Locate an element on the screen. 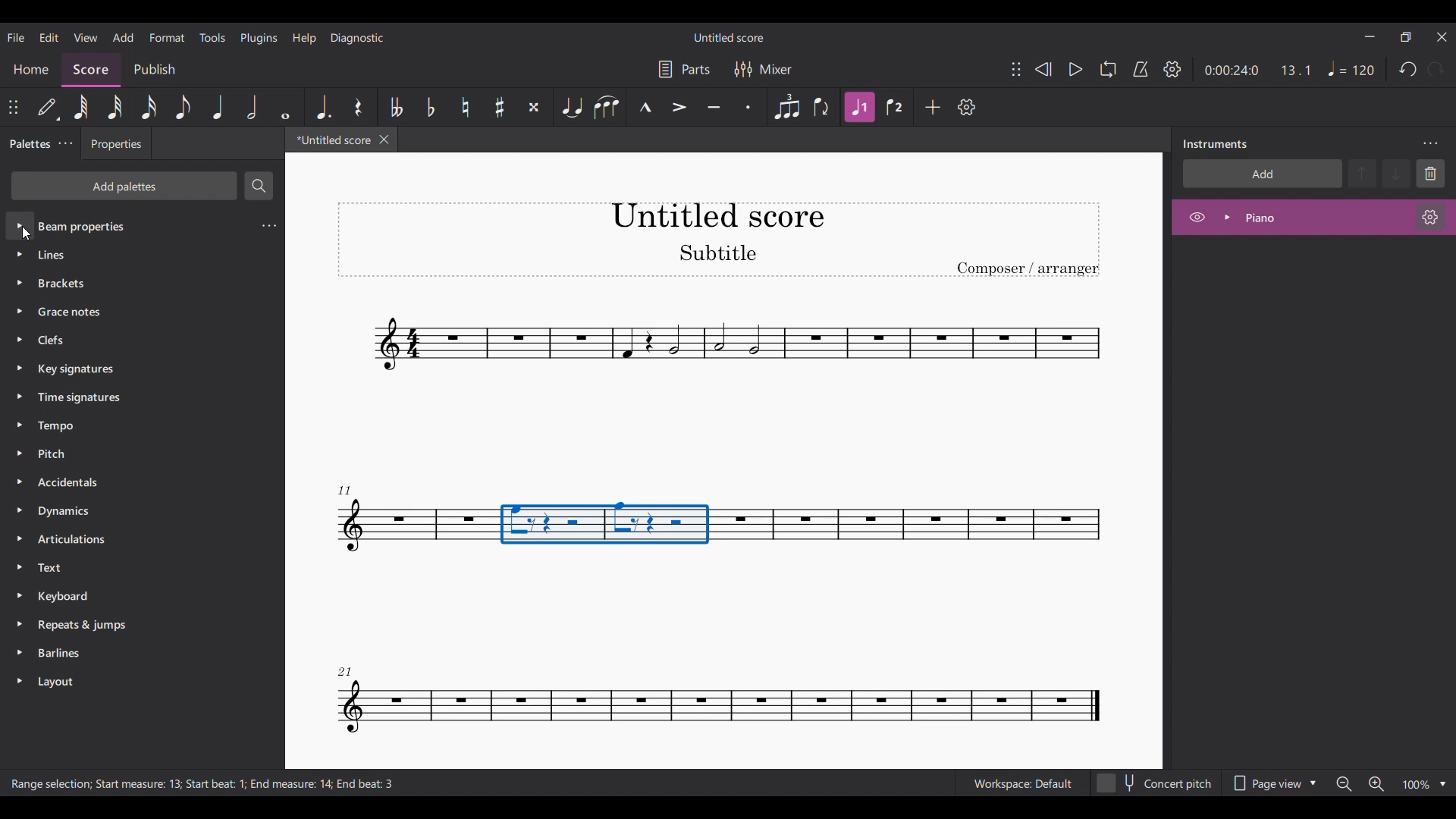 The image size is (1456, 819). Toggle flat is located at coordinates (431, 107).